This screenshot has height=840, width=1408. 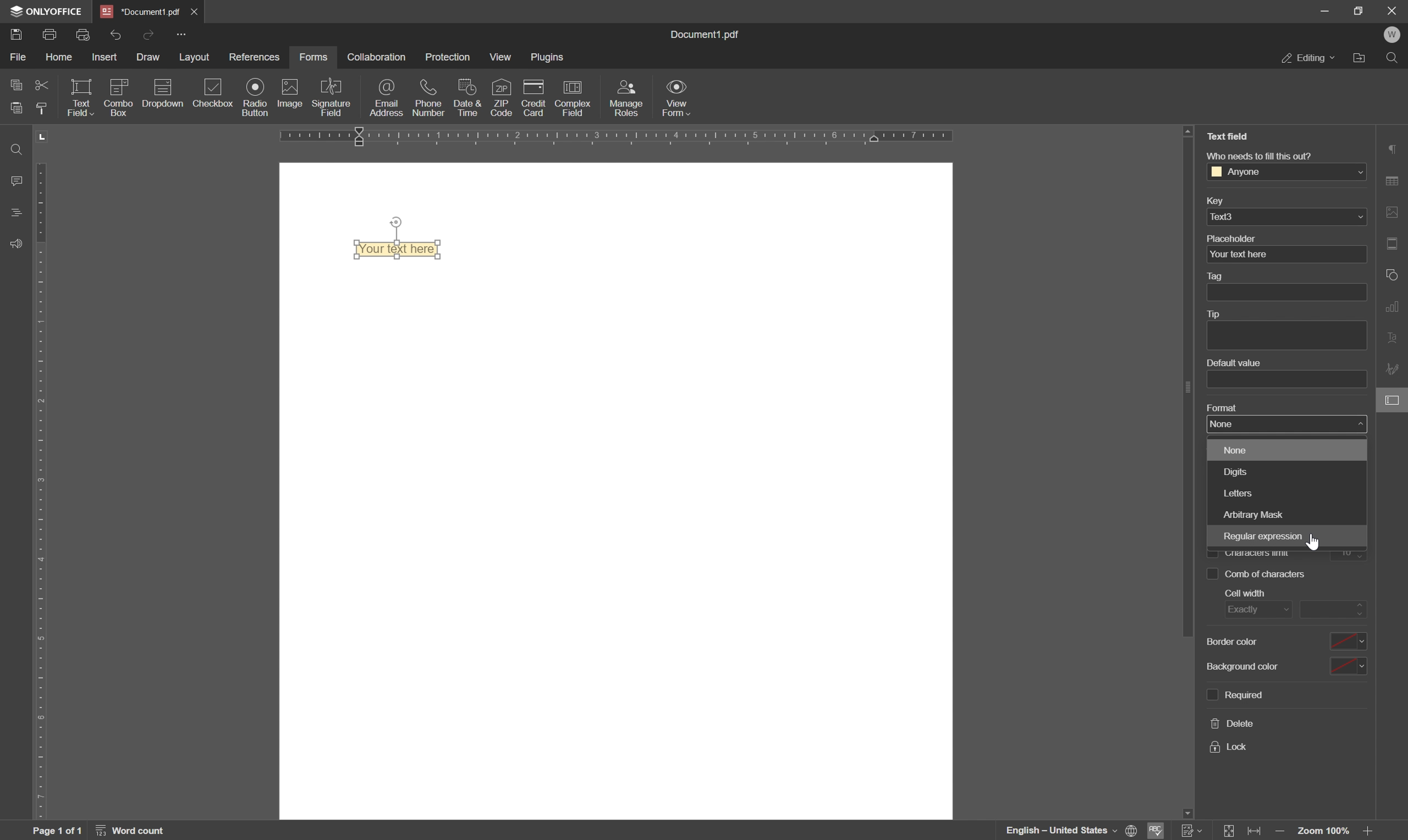 What do you see at coordinates (1244, 593) in the screenshot?
I see `cell width` at bounding box center [1244, 593].